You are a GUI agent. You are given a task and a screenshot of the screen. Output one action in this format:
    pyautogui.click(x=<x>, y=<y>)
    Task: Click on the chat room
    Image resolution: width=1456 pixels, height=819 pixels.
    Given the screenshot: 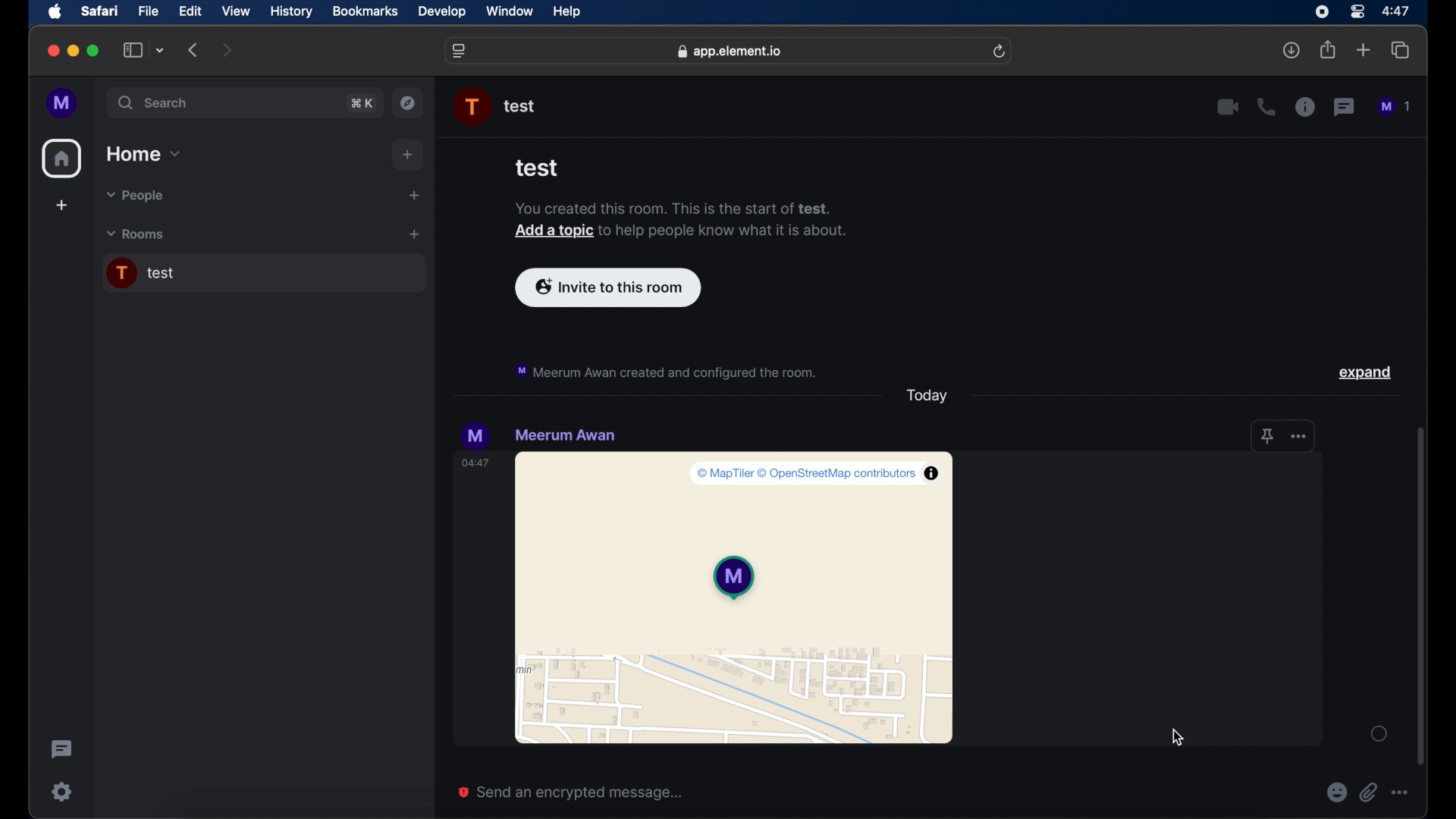 What is the action you would take?
    pyautogui.click(x=263, y=274)
    